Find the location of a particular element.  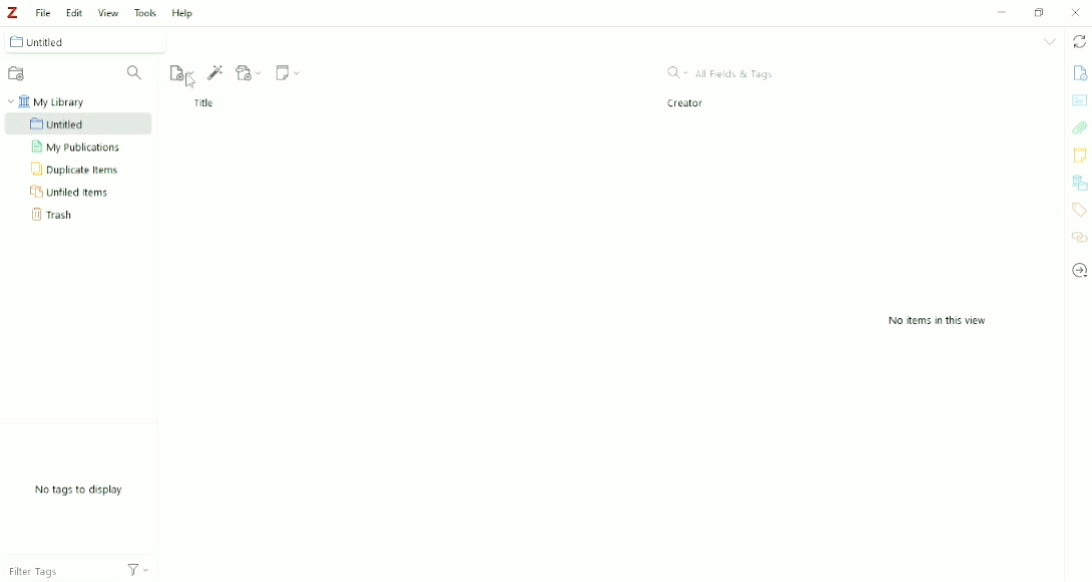

Title is located at coordinates (205, 104).